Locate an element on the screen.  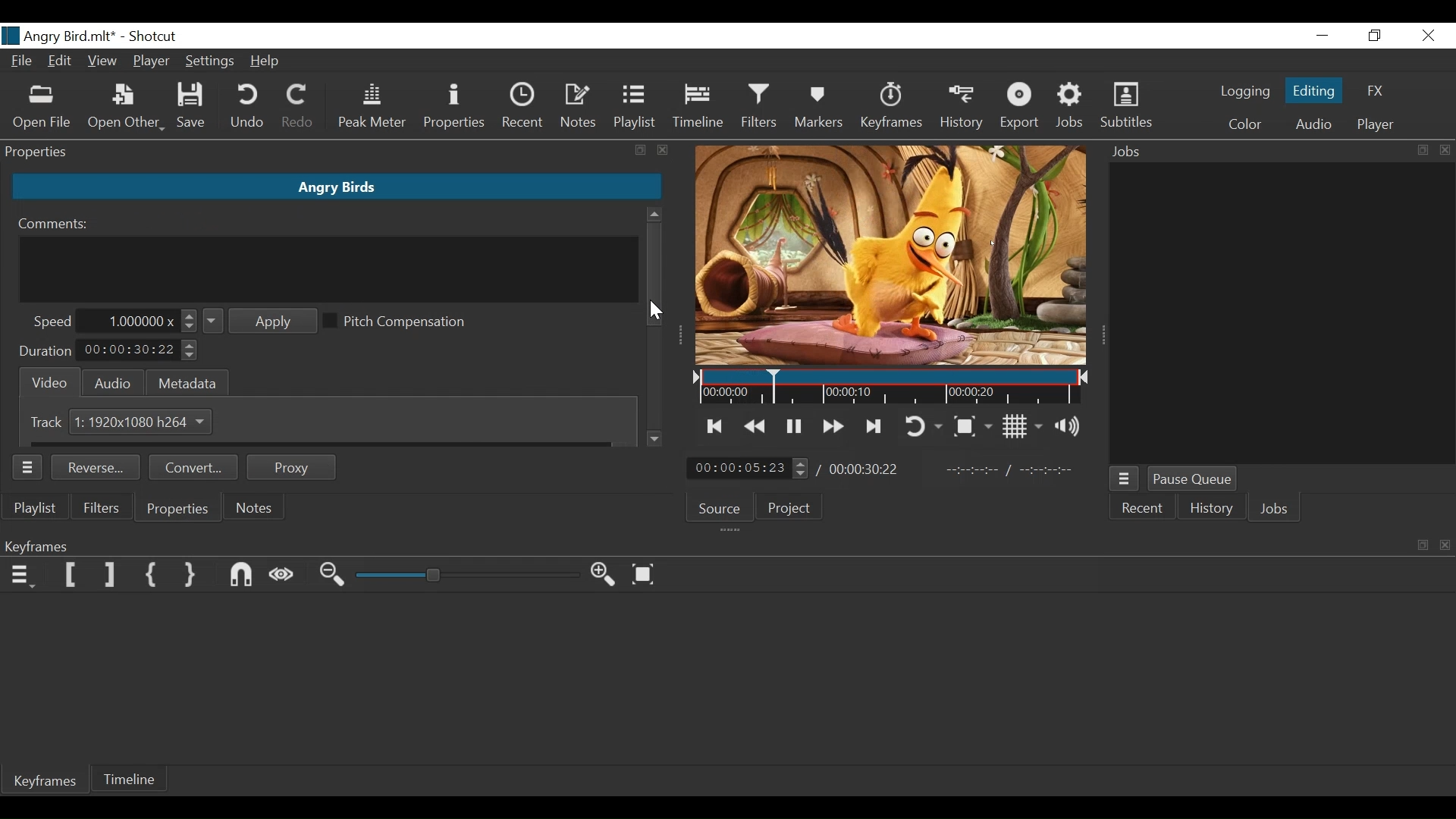
Marker is located at coordinates (822, 108).